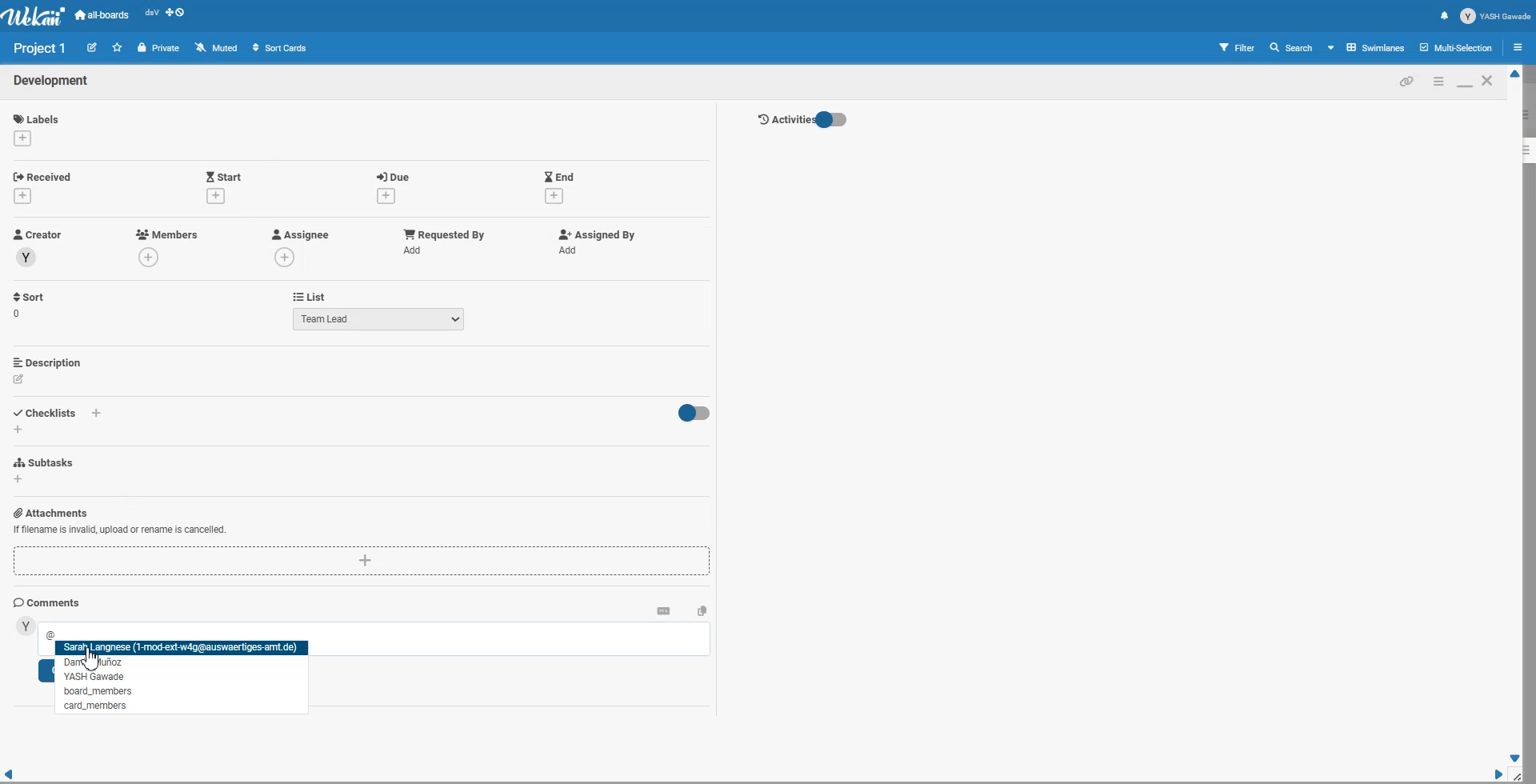 Image resolution: width=1536 pixels, height=784 pixels. Describe the element at coordinates (151, 258) in the screenshot. I see `add` at that location.